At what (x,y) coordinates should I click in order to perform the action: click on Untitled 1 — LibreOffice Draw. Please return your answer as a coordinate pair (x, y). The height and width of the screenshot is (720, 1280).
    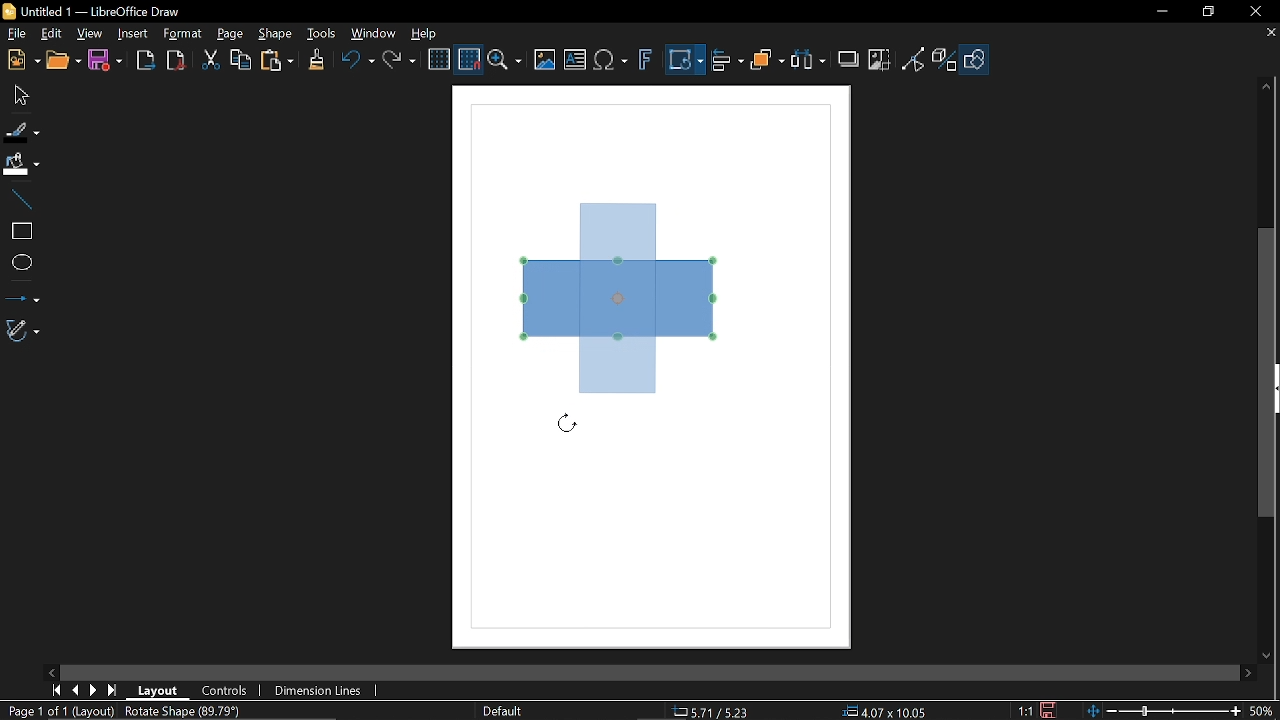
    Looking at the image, I should click on (108, 11).